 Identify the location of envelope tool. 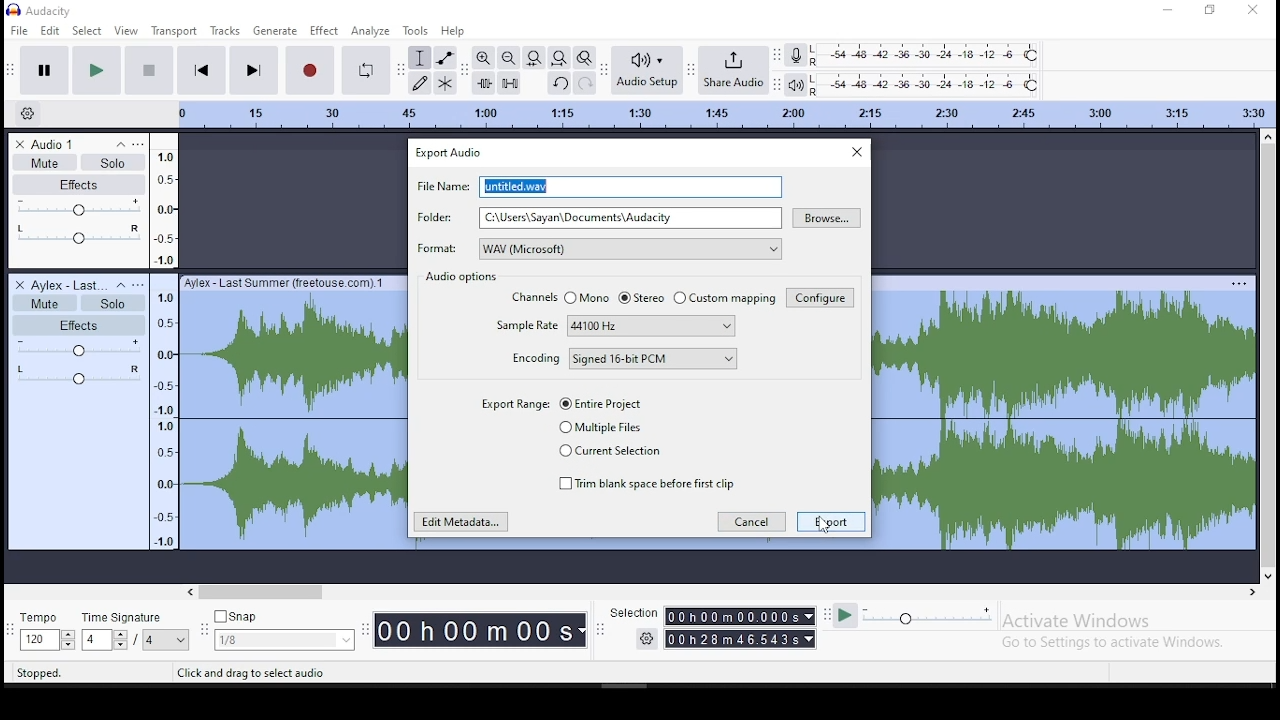
(445, 57).